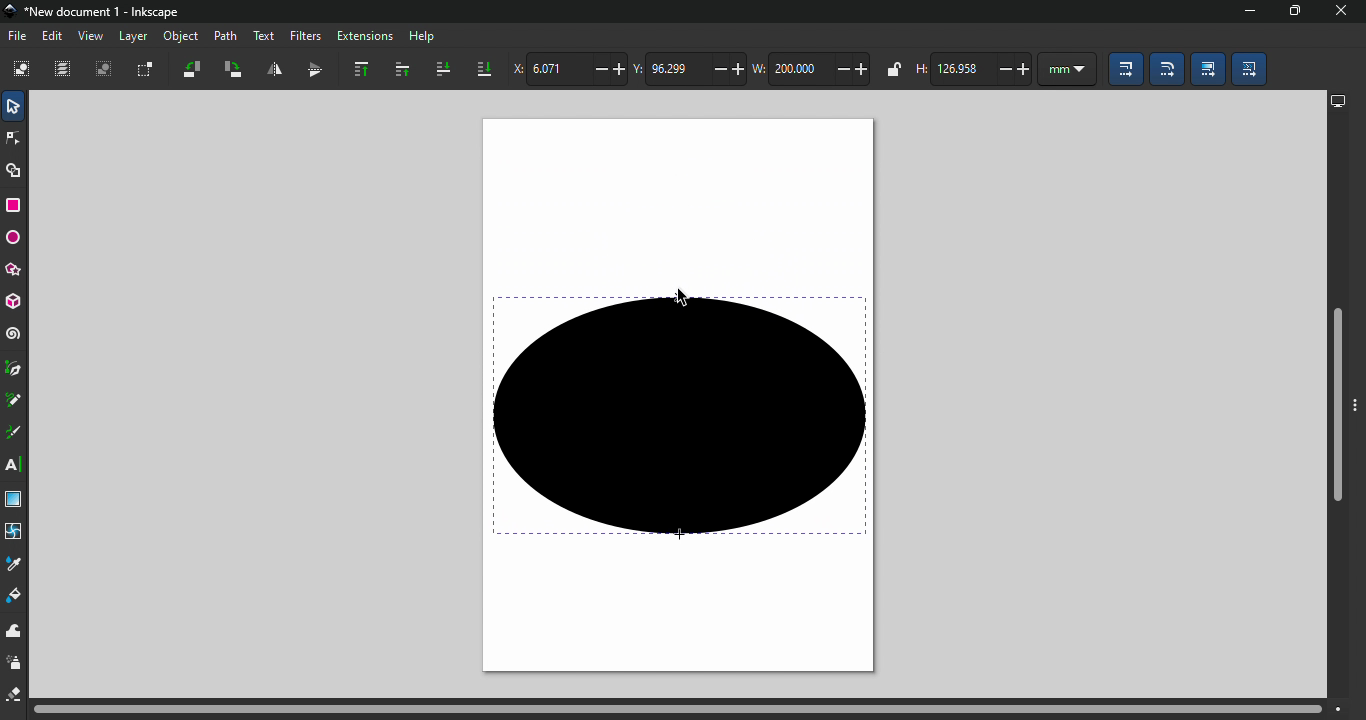 The width and height of the screenshot is (1366, 720). Describe the element at coordinates (11, 106) in the screenshot. I see `Selector tool` at that location.